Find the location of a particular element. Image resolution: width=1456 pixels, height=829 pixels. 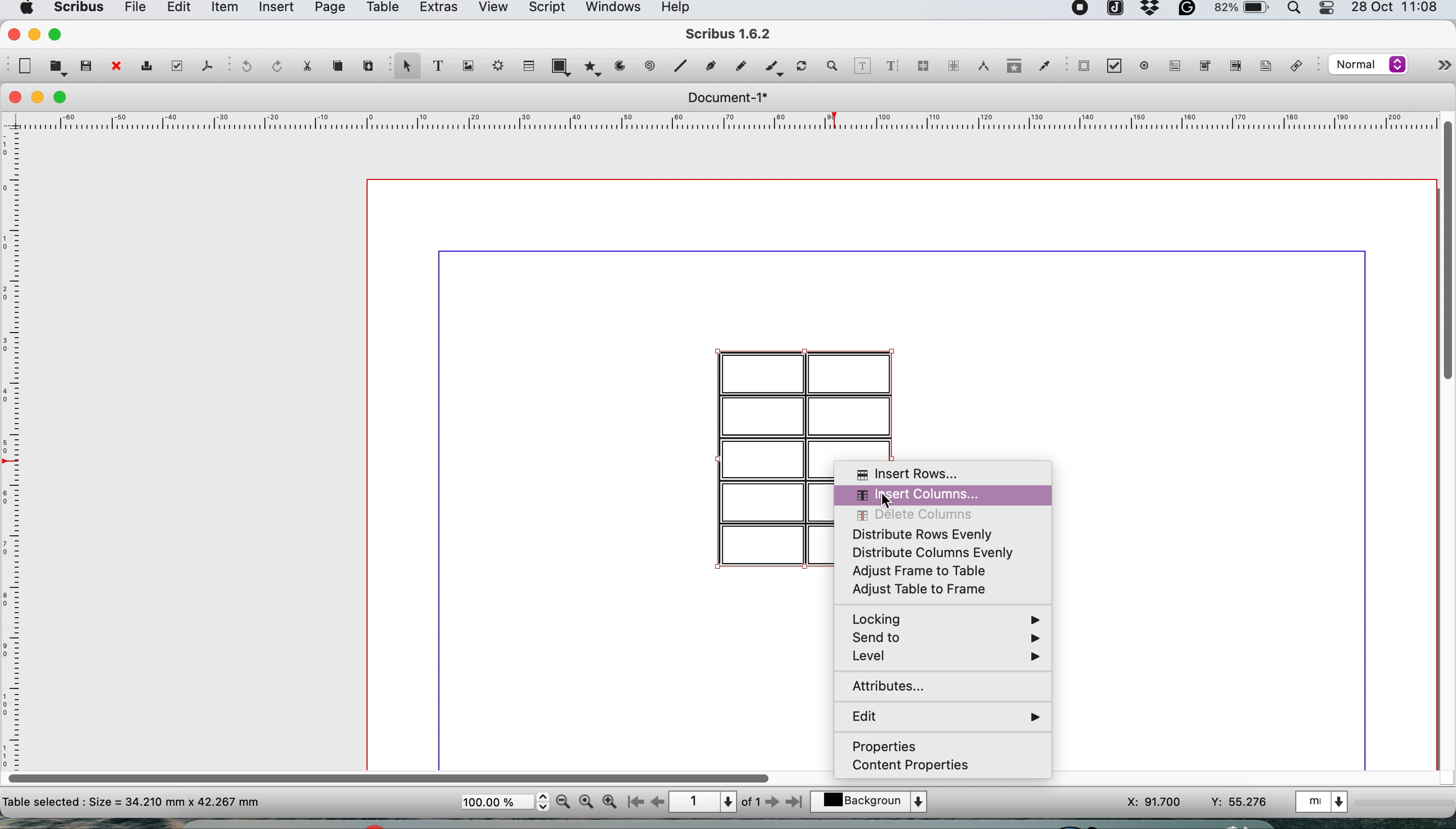

minimise is located at coordinates (34, 34).